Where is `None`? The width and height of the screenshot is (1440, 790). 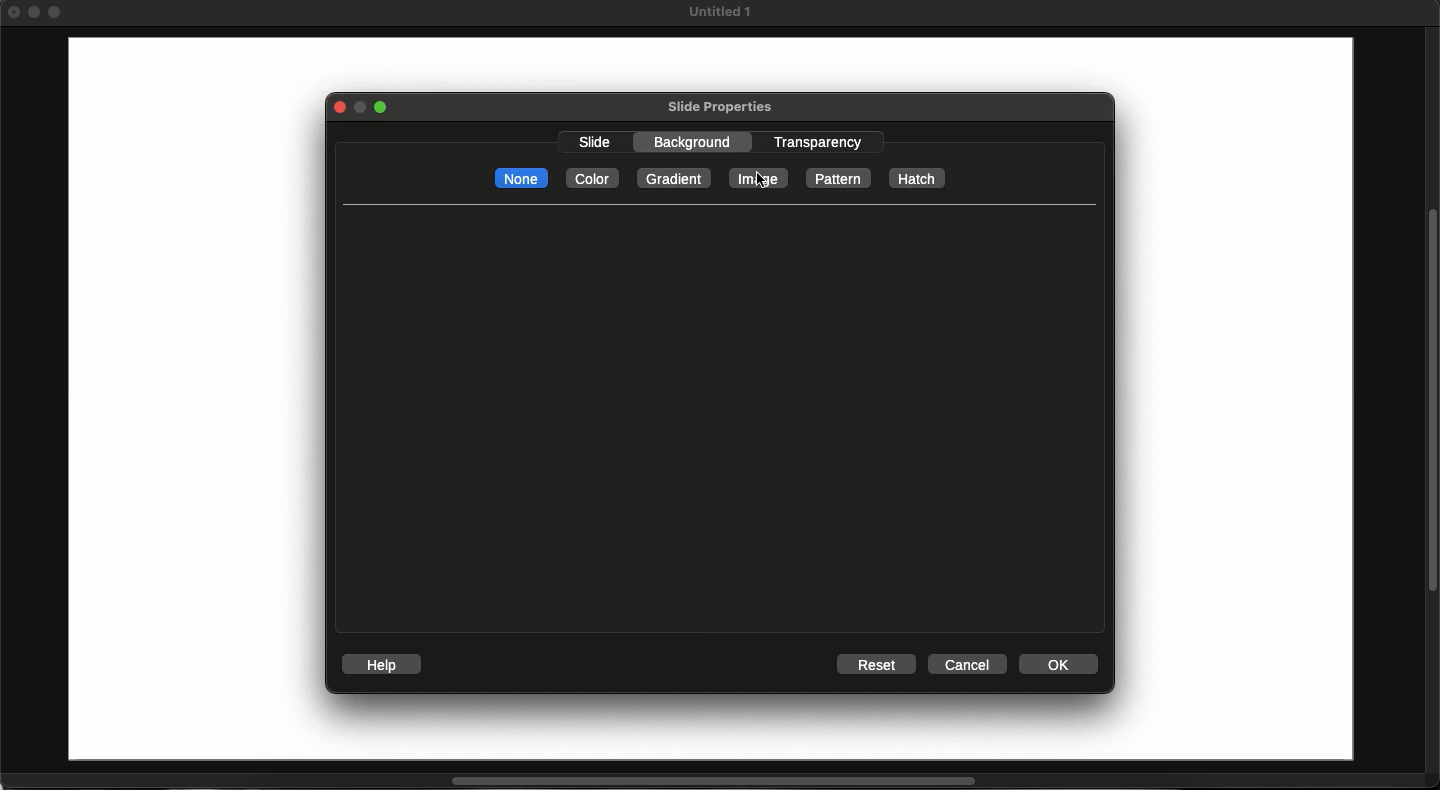
None is located at coordinates (521, 178).